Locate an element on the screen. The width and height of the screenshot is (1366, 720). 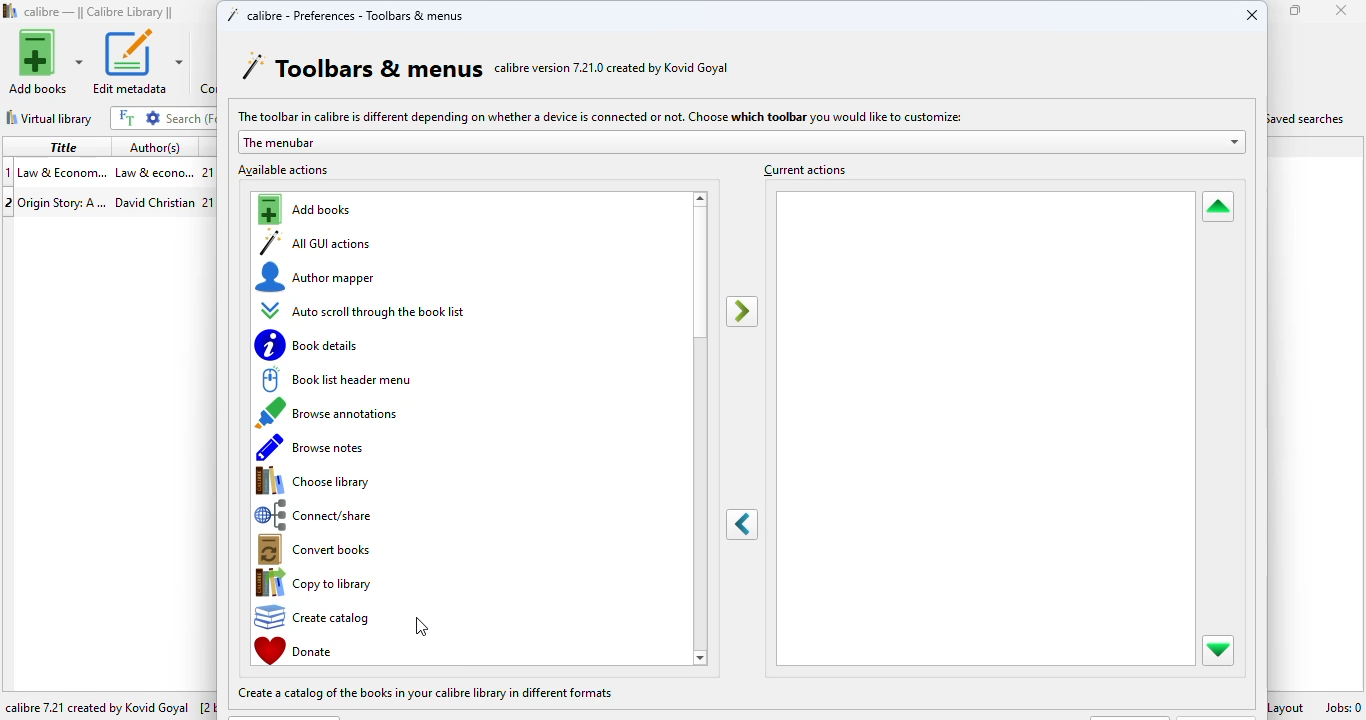
move selected action down is located at coordinates (1218, 650).